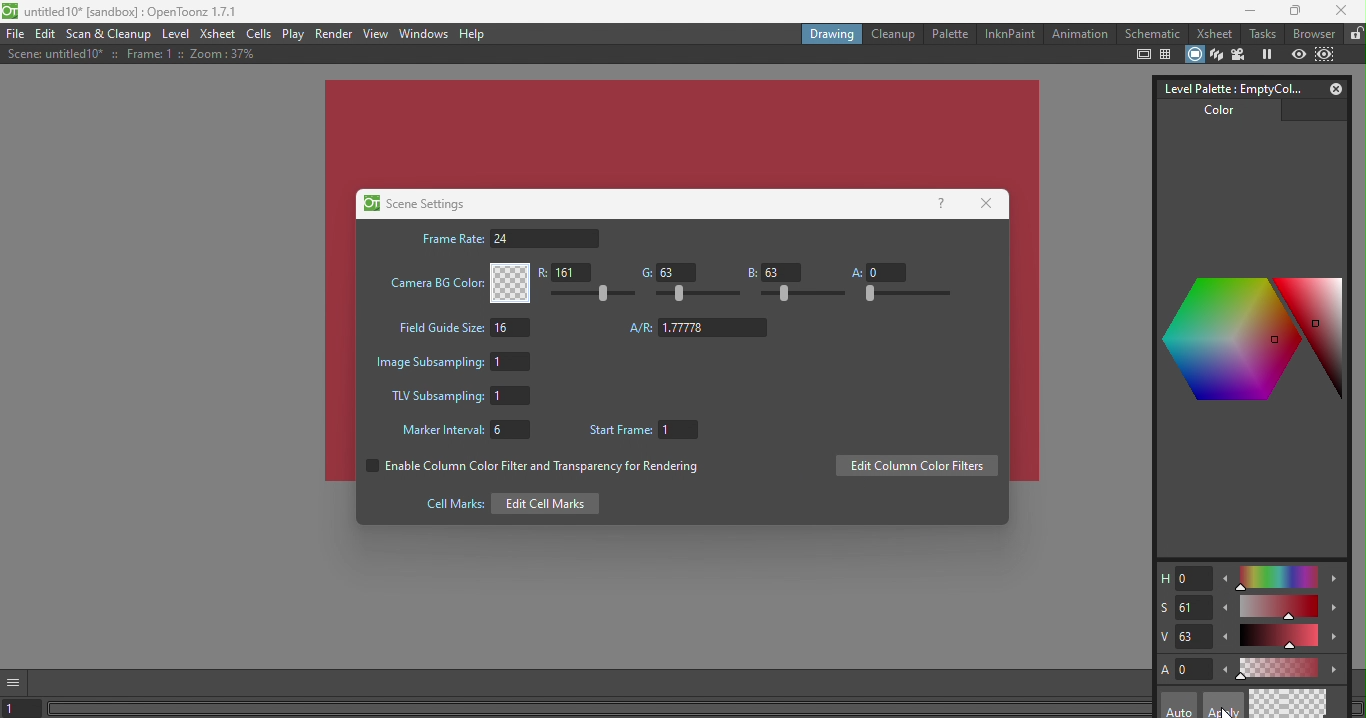 This screenshot has height=718, width=1366. Describe the element at coordinates (1213, 115) in the screenshot. I see `Color` at that location.